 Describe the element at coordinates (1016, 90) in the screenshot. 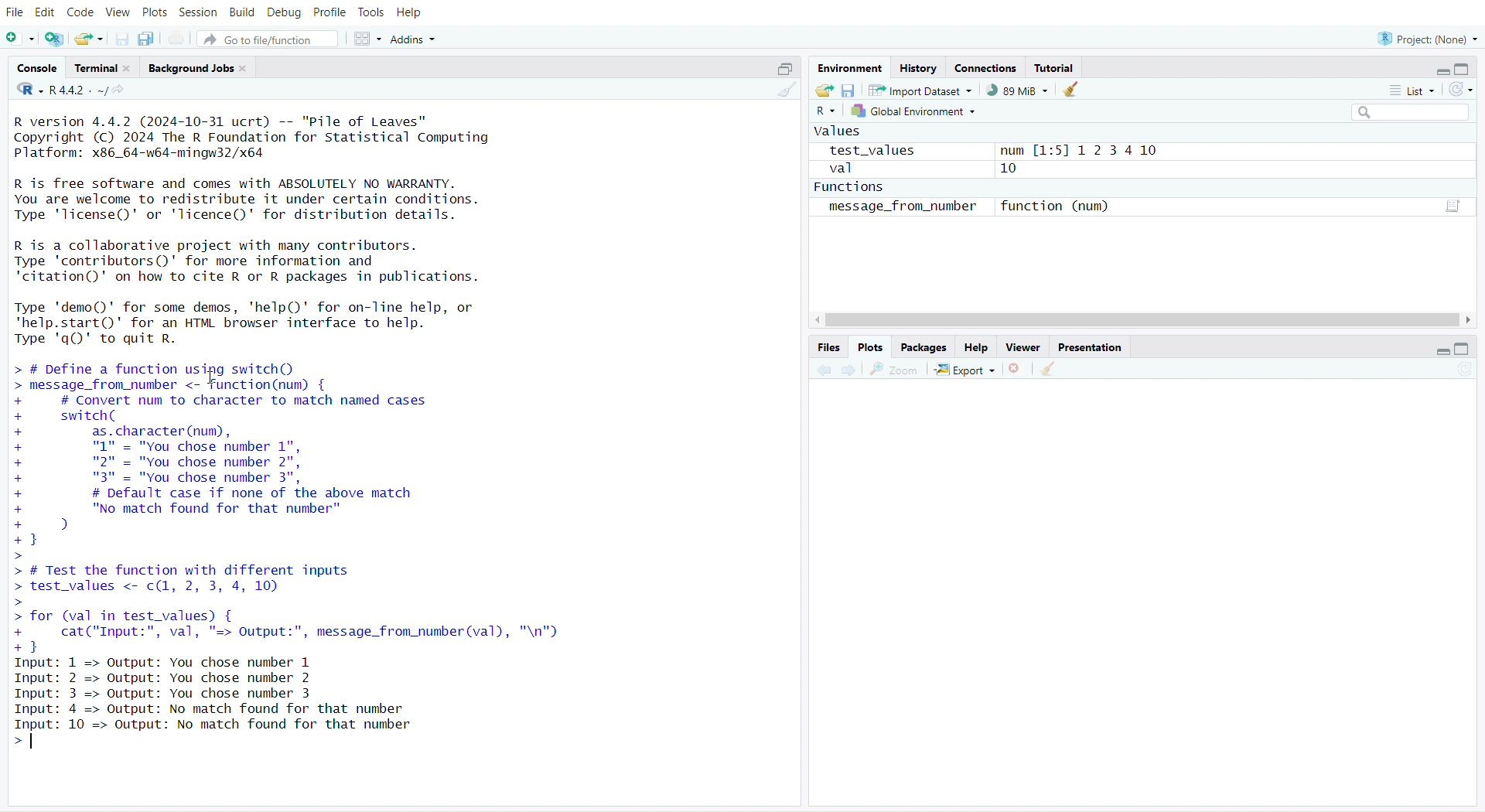

I see `89kib used by R session (Source: Windows System)` at that location.